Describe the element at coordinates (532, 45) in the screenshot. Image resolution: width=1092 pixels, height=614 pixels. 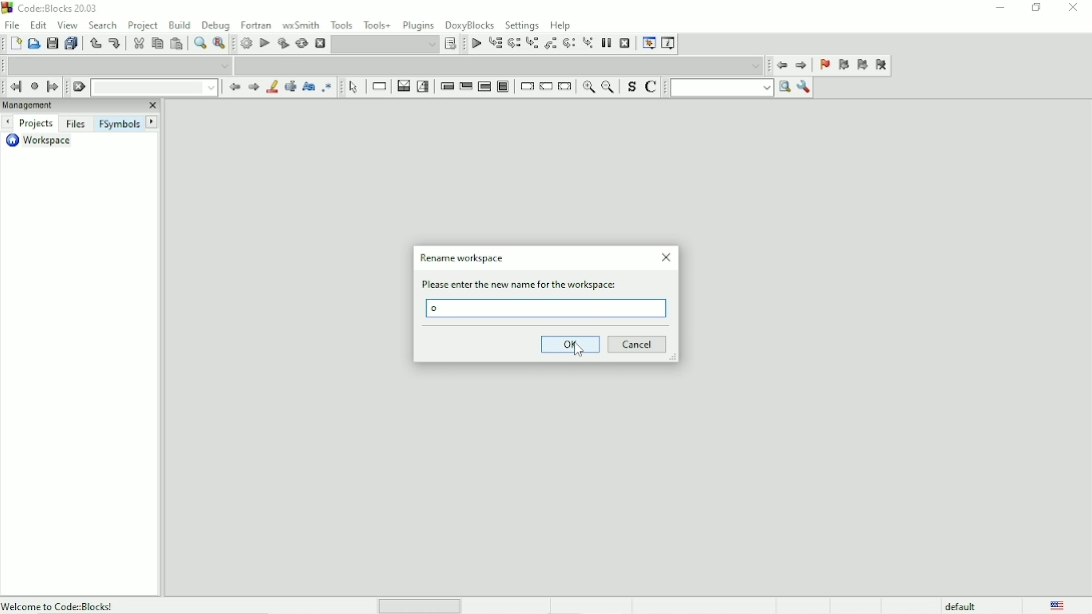
I see `Step into` at that location.